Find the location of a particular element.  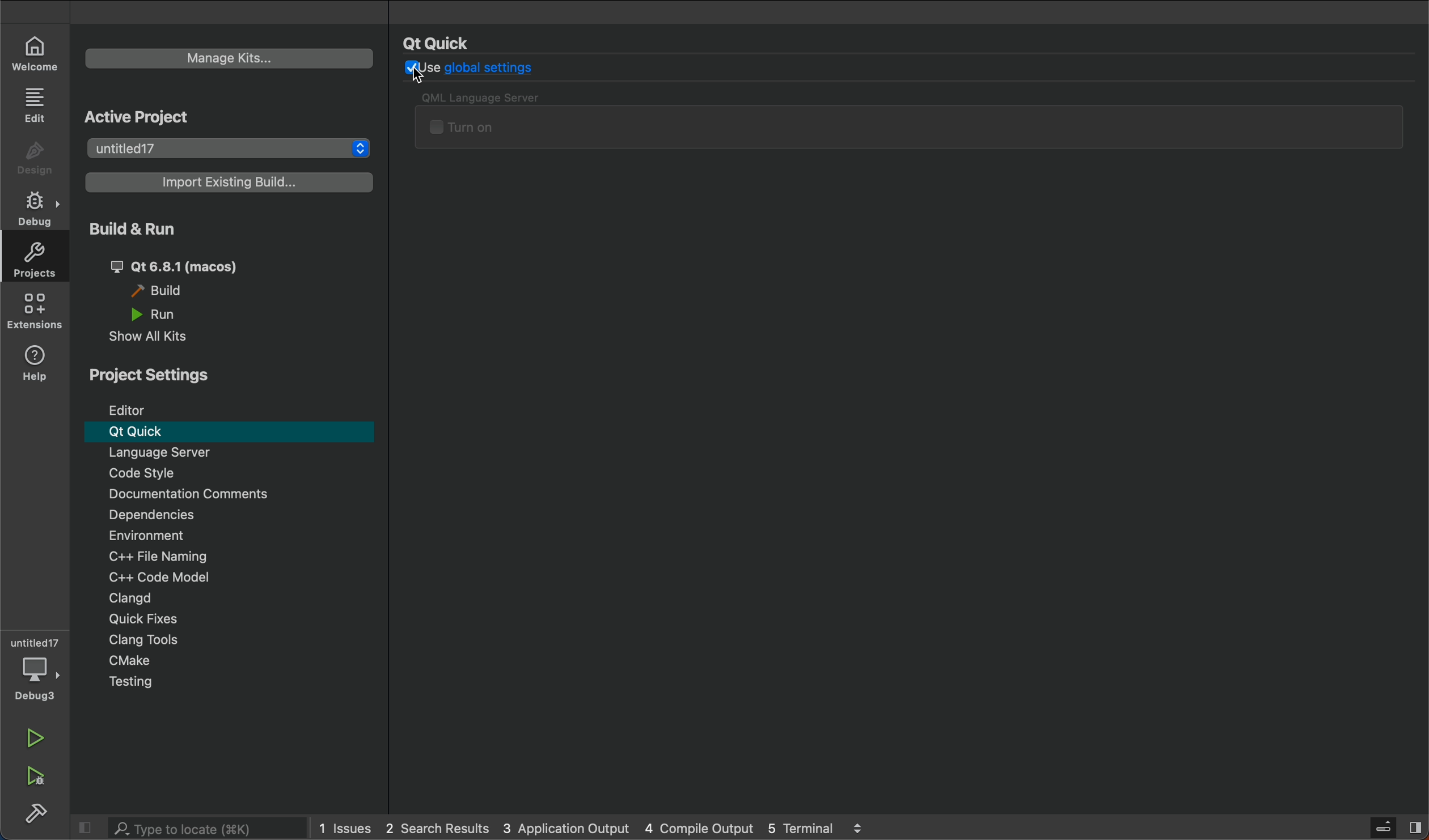

projects is located at coordinates (35, 262).